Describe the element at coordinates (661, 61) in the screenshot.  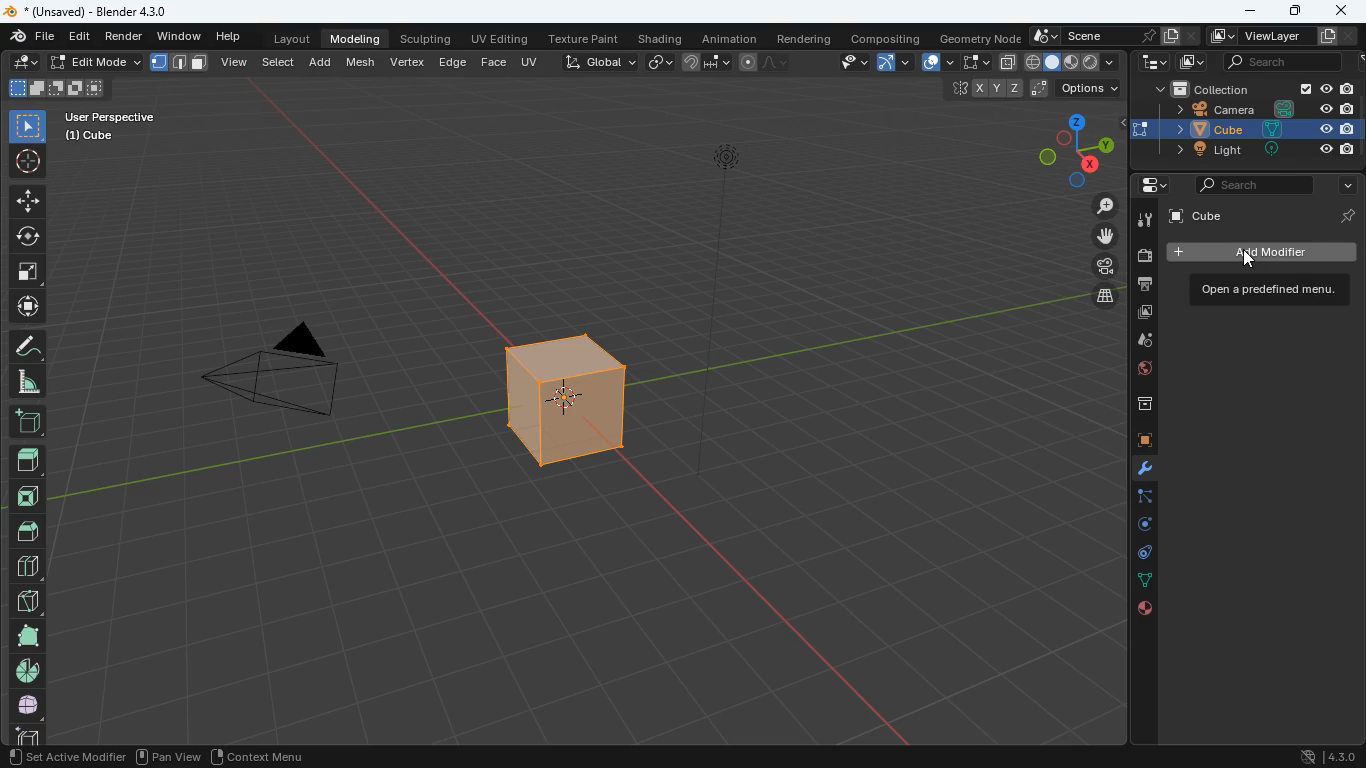
I see `link` at that location.